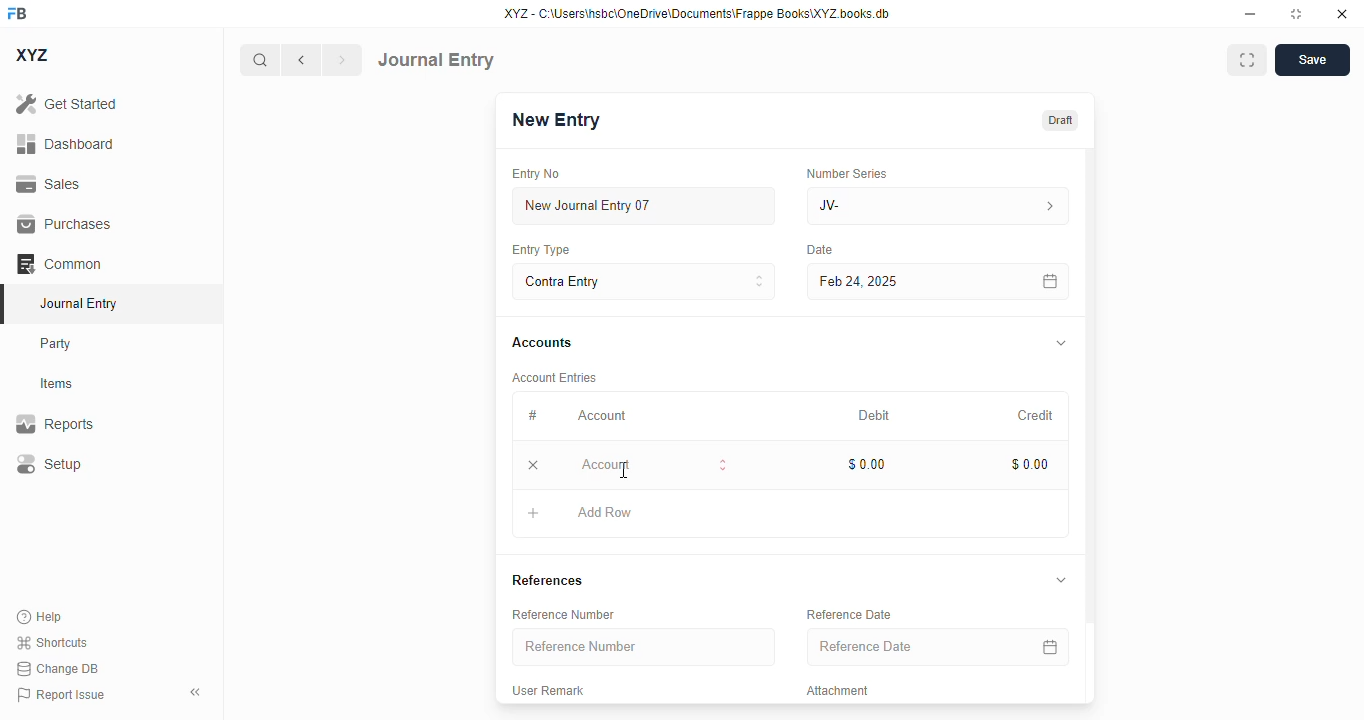 This screenshot has height=720, width=1364. Describe the element at coordinates (557, 119) in the screenshot. I see `new entry` at that location.